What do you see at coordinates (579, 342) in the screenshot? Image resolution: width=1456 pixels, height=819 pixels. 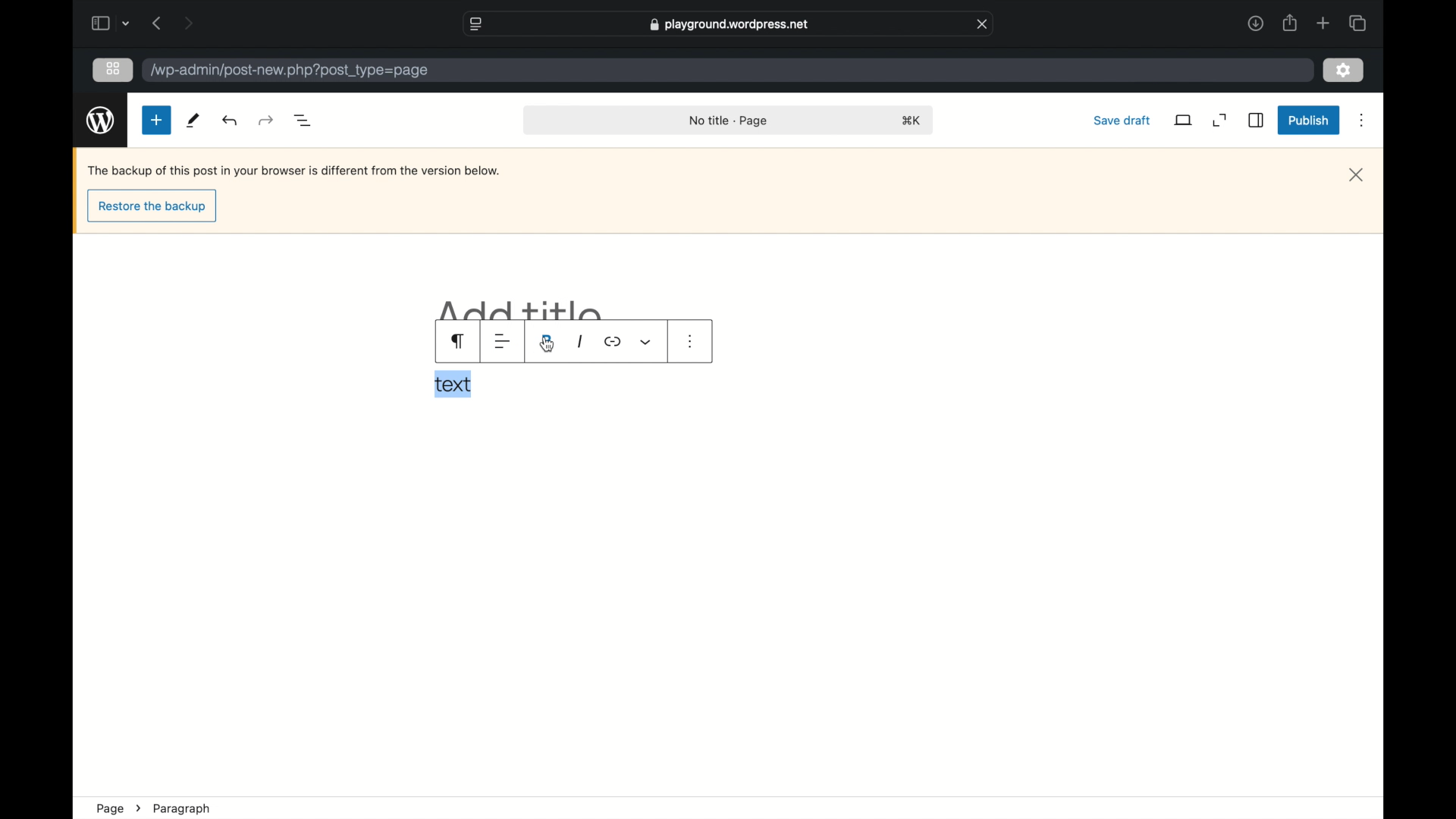 I see `italic` at bounding box center [579, 342].